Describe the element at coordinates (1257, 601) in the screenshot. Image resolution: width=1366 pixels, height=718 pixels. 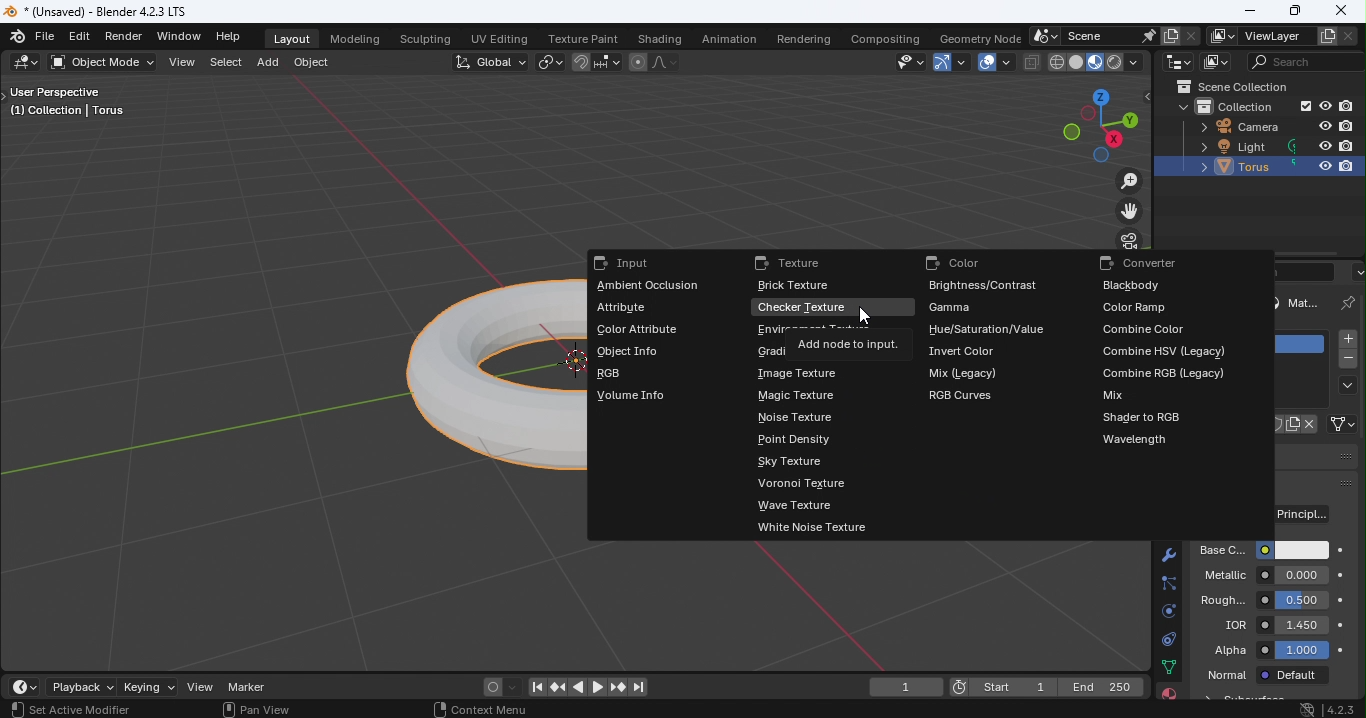
I see `Roughness` at that location.